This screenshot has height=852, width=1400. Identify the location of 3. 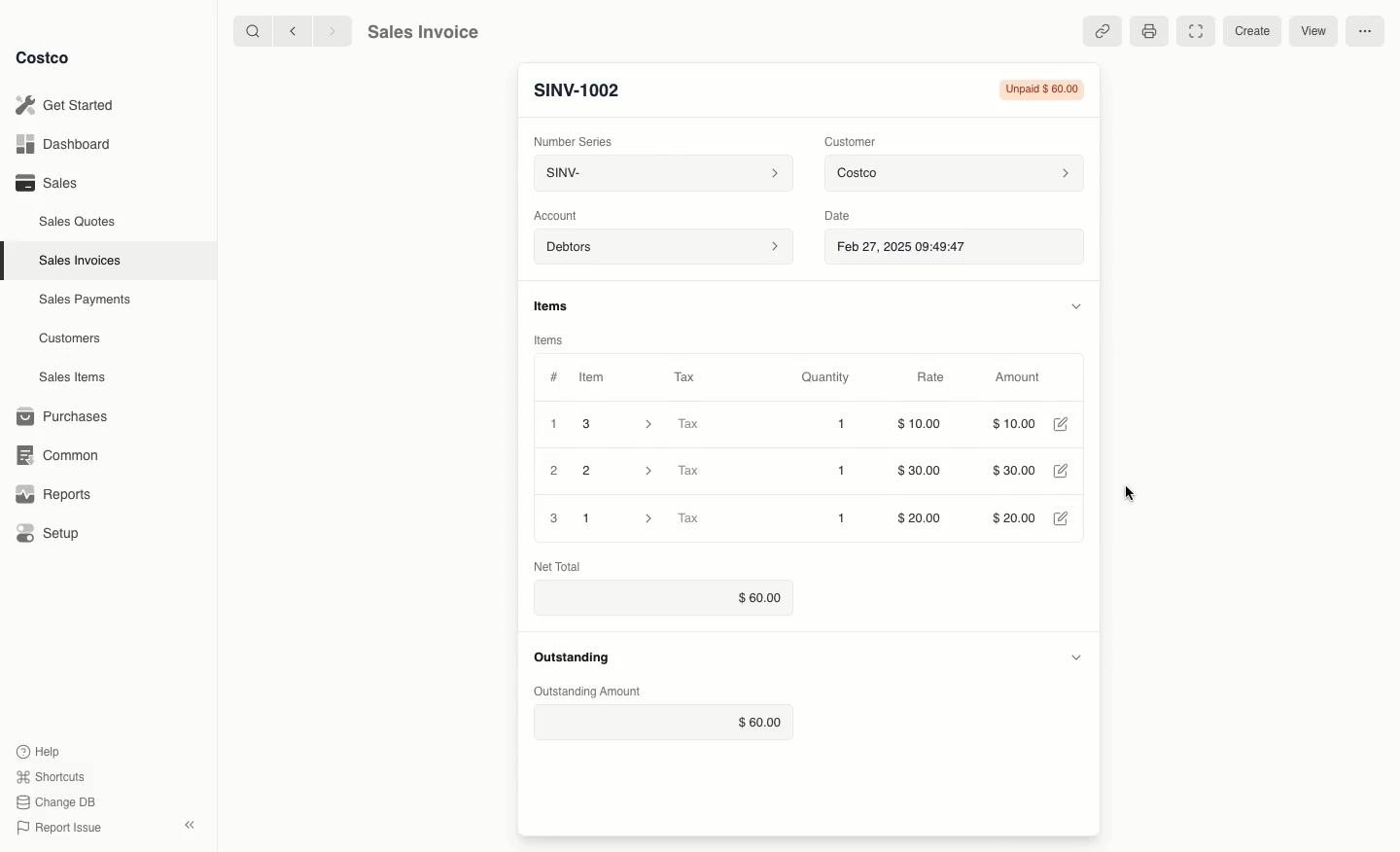
(622, 424).